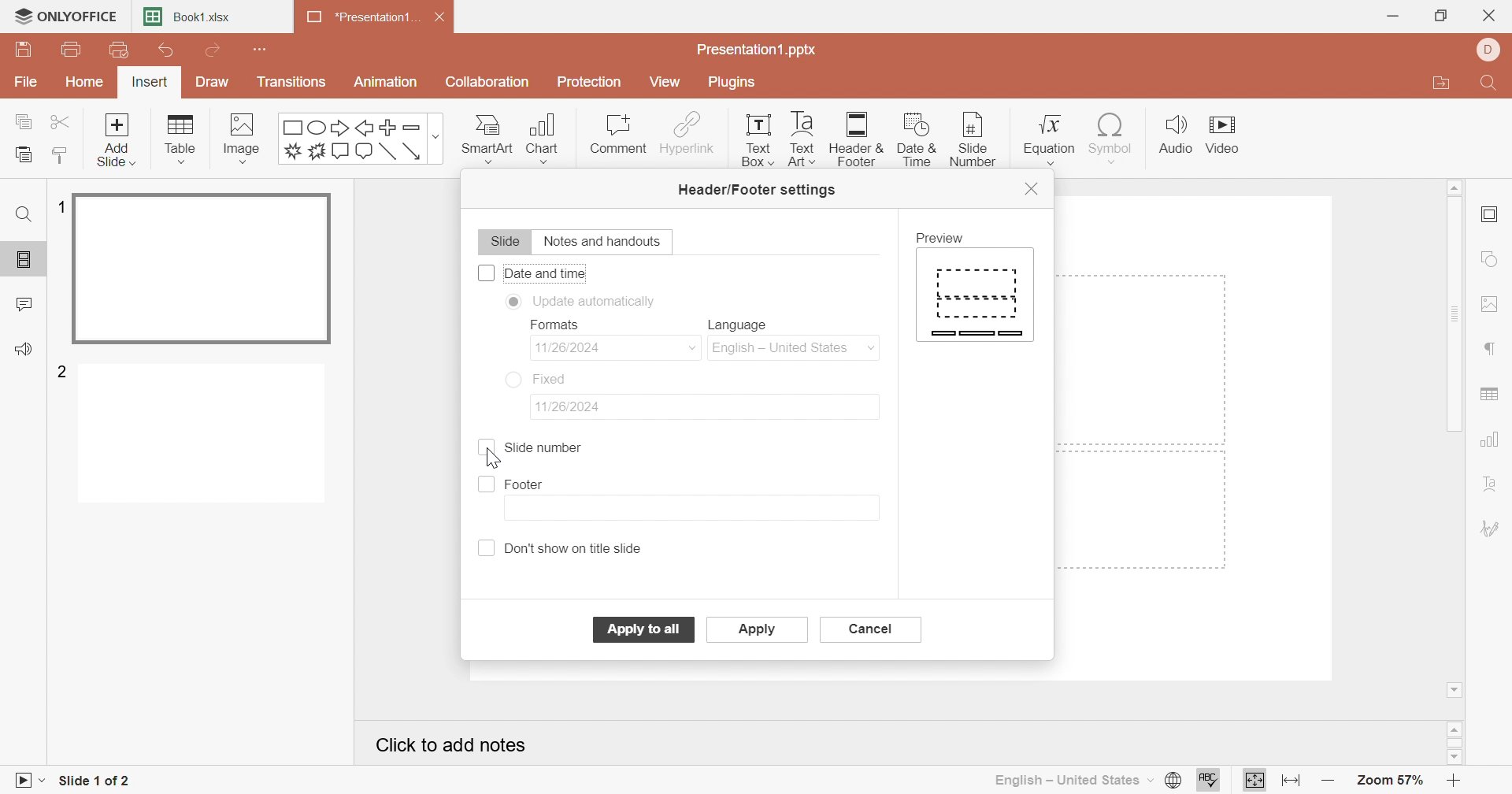 This screenshot has height=794, width=1512. What do you see at coordinates (687, 133) in the screenshot?
I see `Hyperlink` at bounding box center [687, 133].